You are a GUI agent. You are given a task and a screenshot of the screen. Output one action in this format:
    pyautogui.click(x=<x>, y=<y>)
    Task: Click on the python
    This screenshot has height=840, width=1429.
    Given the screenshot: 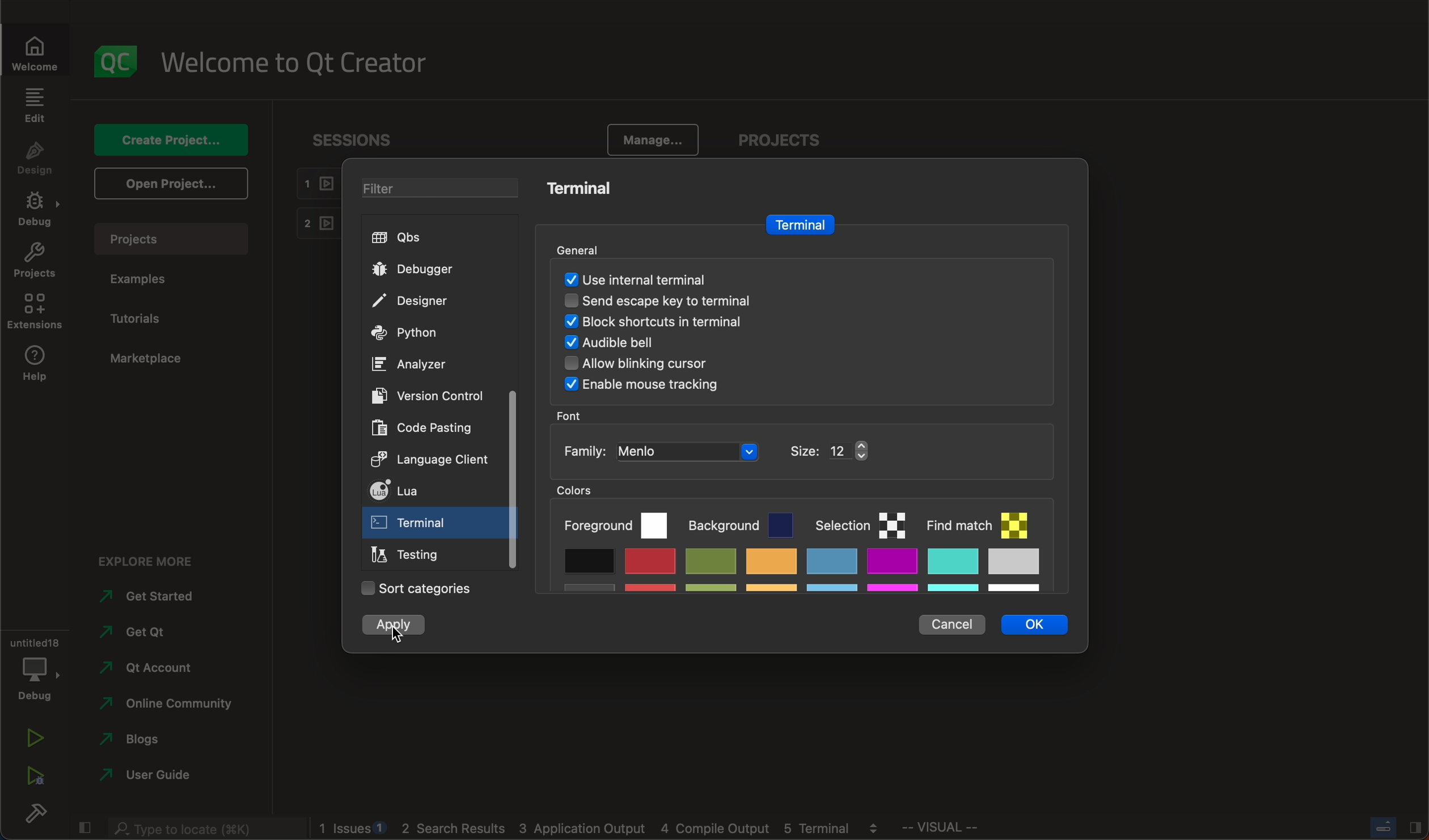 What is the action you would take?
    pyautogui.click(x=412, y=334)
    